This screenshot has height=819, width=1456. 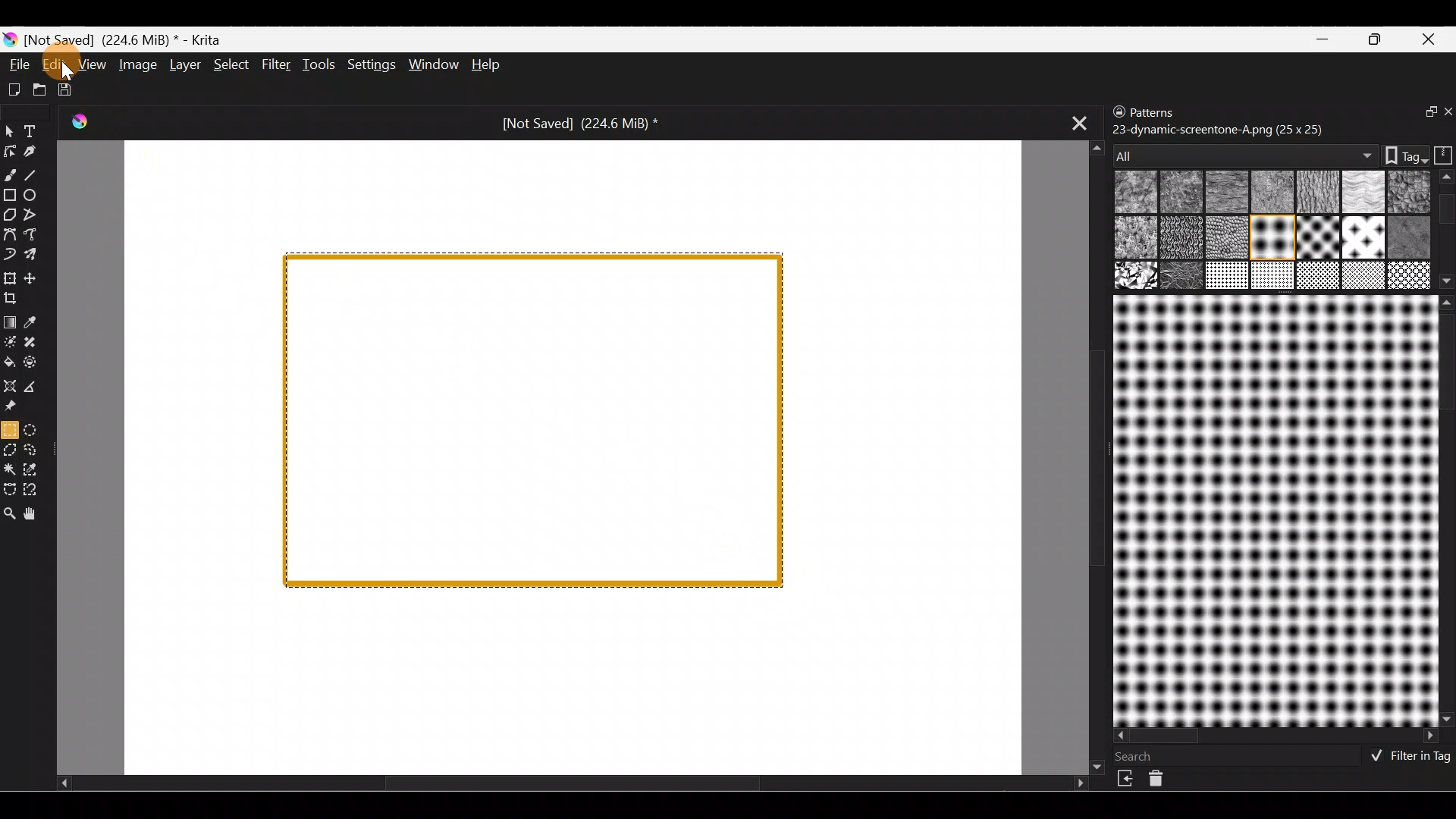 I want to click on 16 Texture_woody.png, so click(x=1228, y=277).